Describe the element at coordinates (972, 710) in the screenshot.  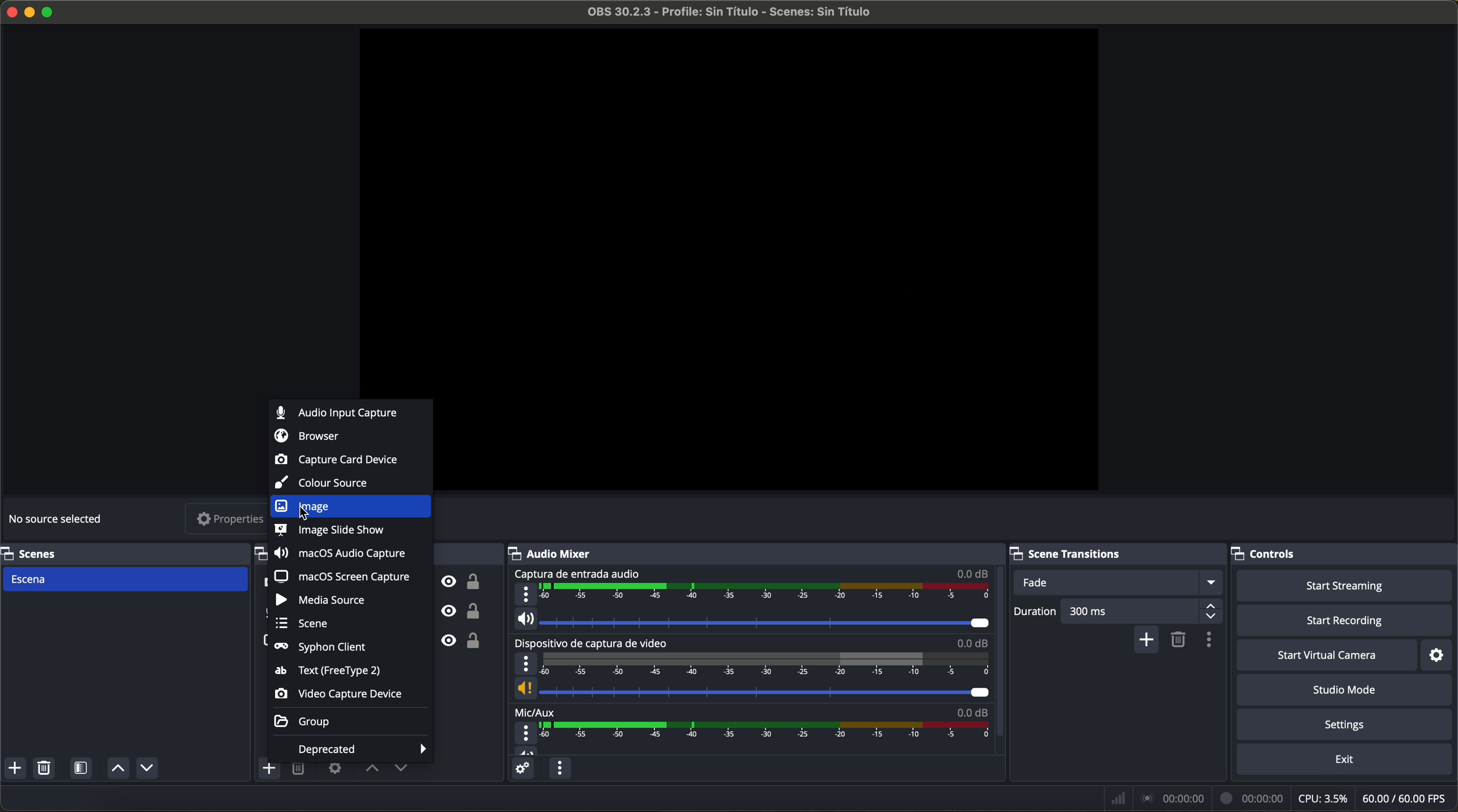
I see `0.0 dB` at that location.